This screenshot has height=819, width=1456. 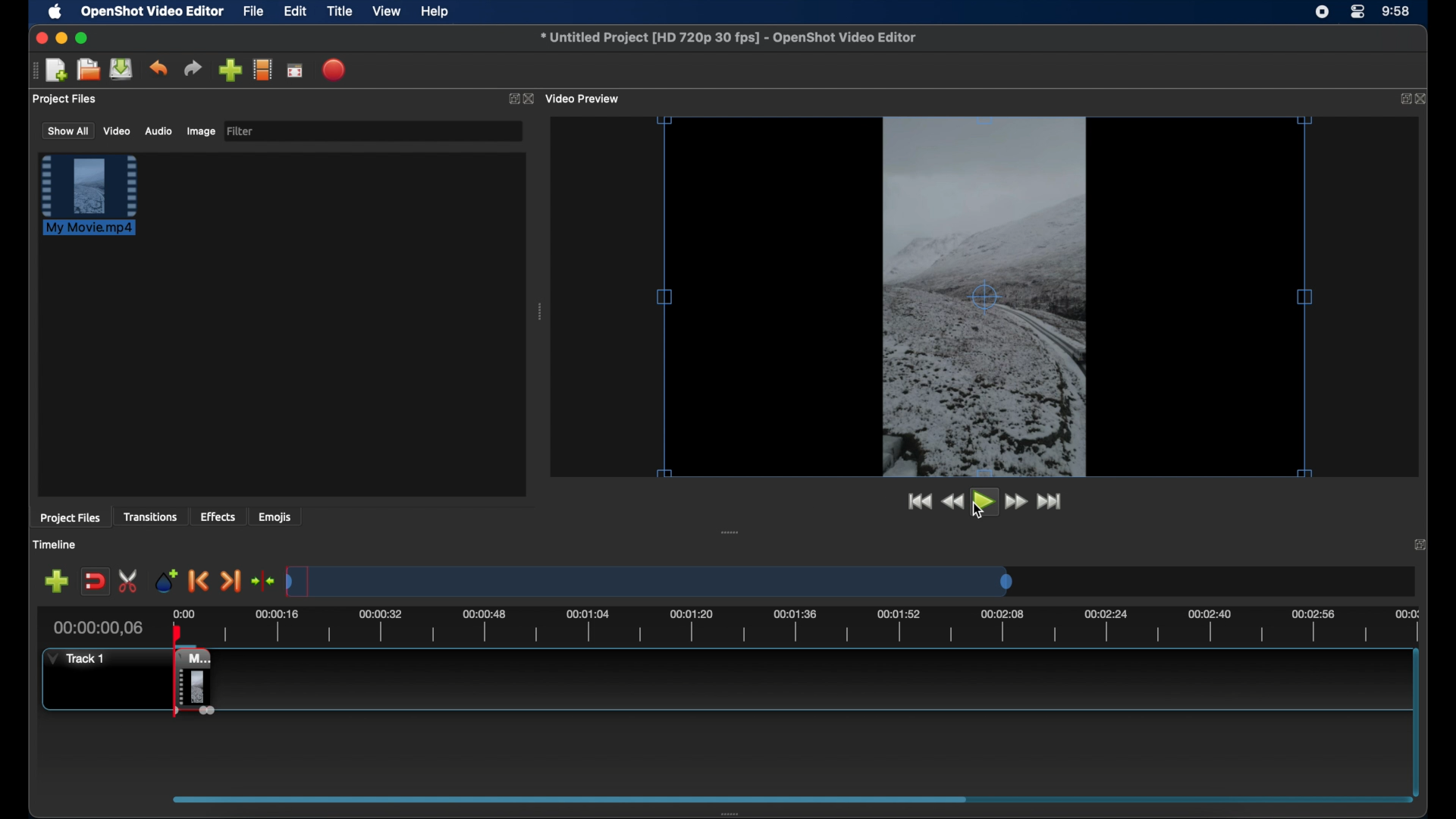 I want to click on expand, so click(x=1423, y=544).